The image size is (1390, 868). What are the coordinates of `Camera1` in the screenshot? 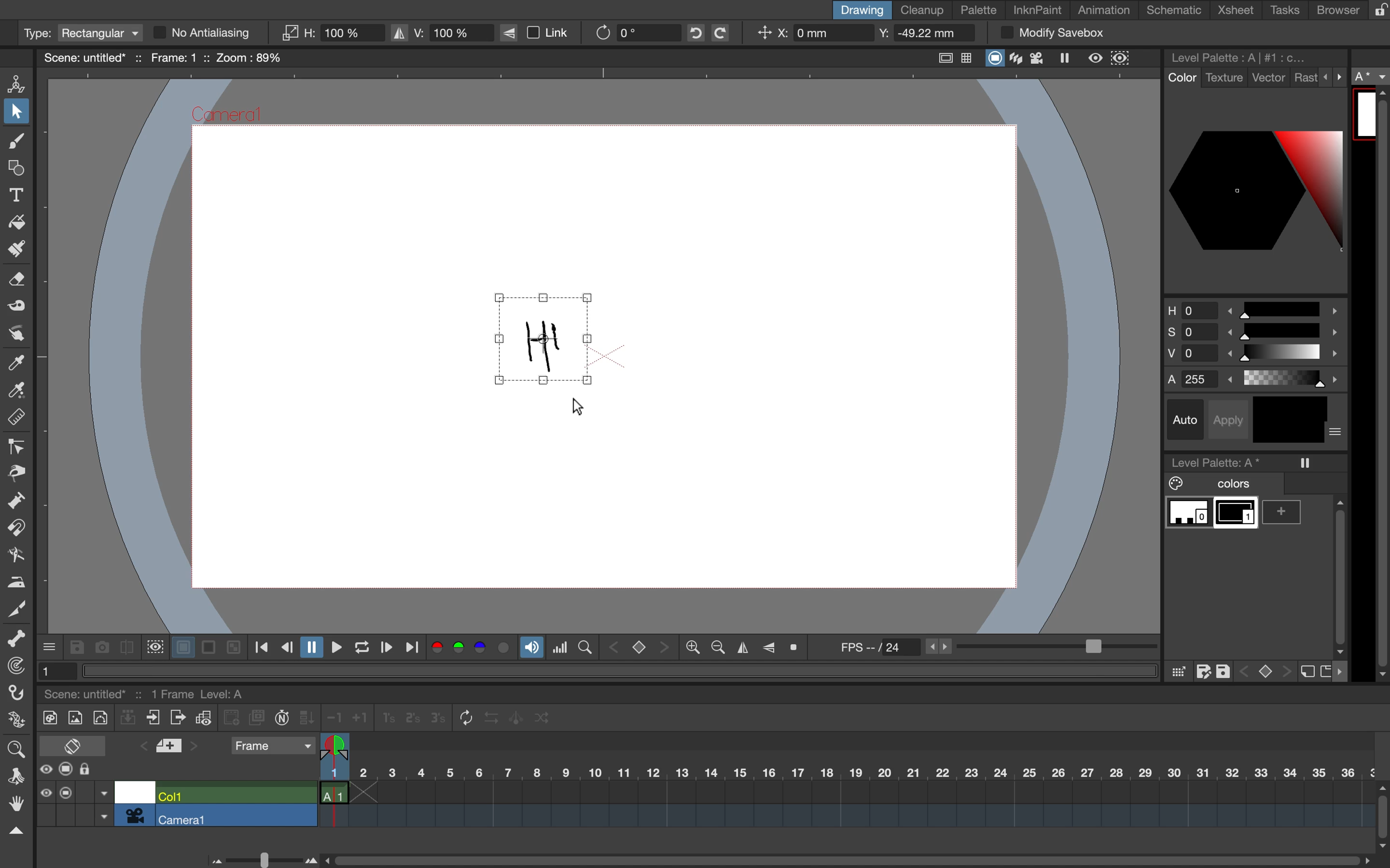 It's located at (228, 116).